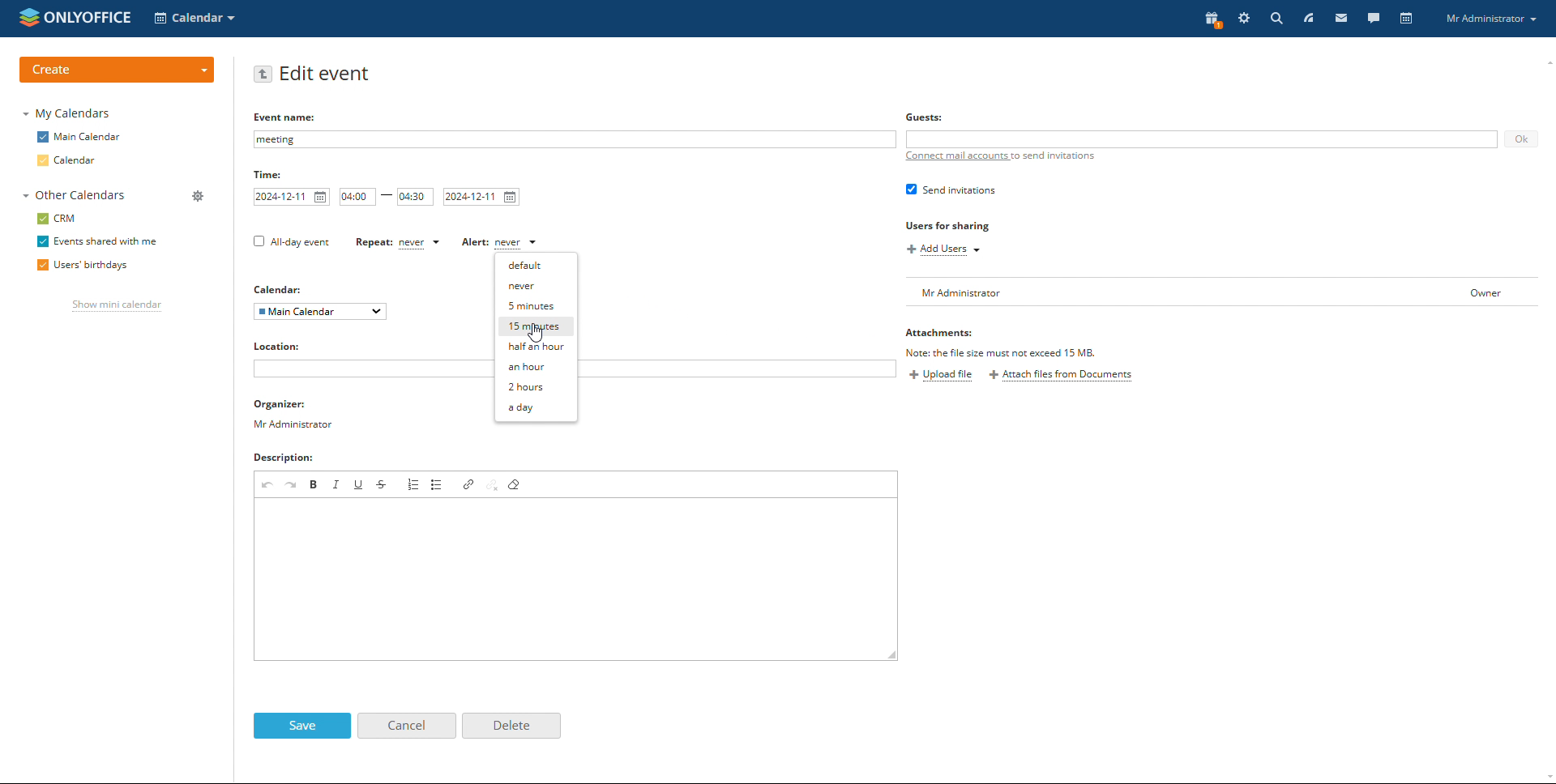 The width and height of the screenshot is (1556, 784). Describe the element at coordinates (891, 655) in the screenshot. I see `resize` at that location.